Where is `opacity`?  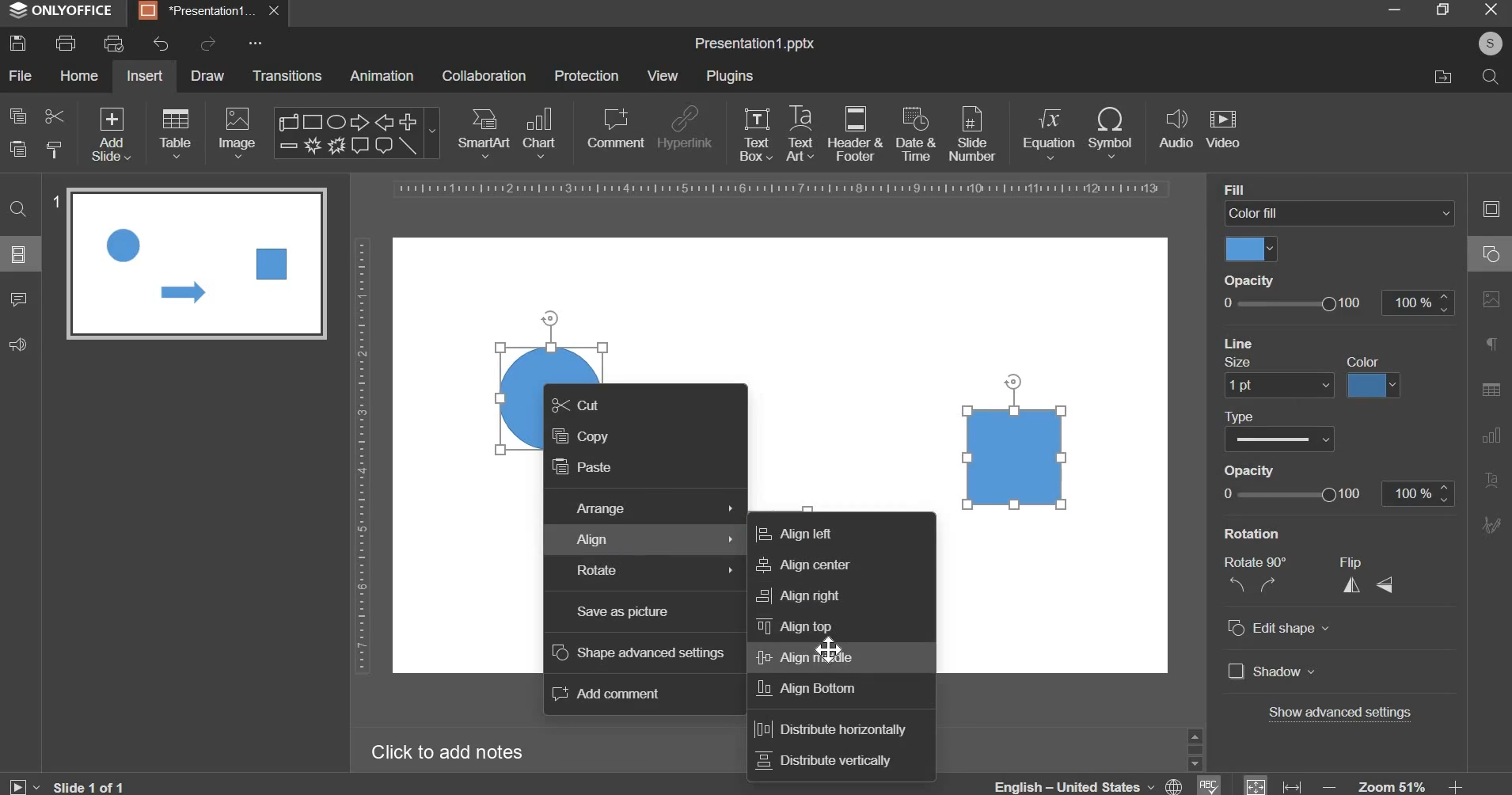 opacity is located at coordinates (1335, 303).